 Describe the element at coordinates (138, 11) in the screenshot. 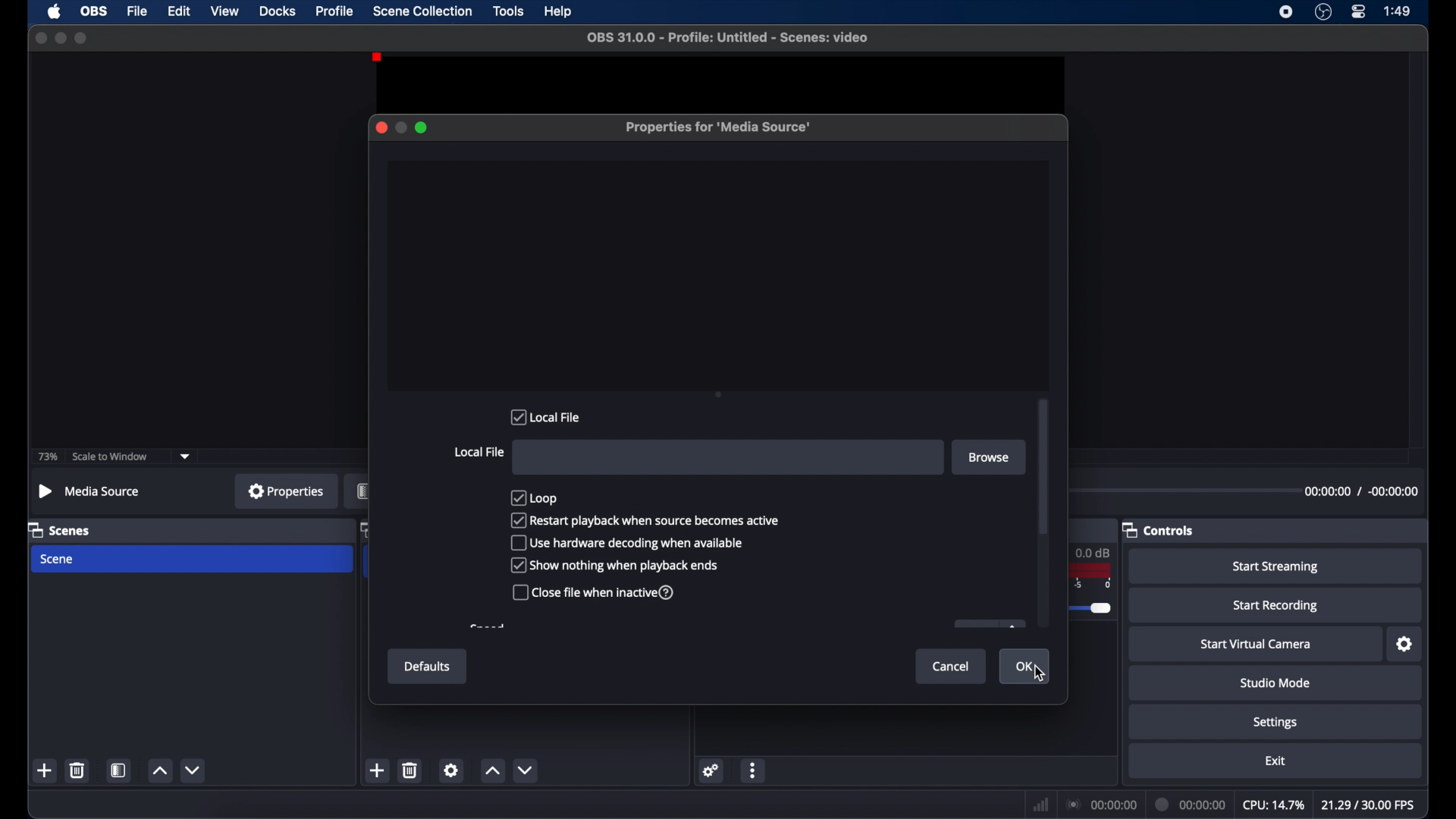

I see `file` at that location.